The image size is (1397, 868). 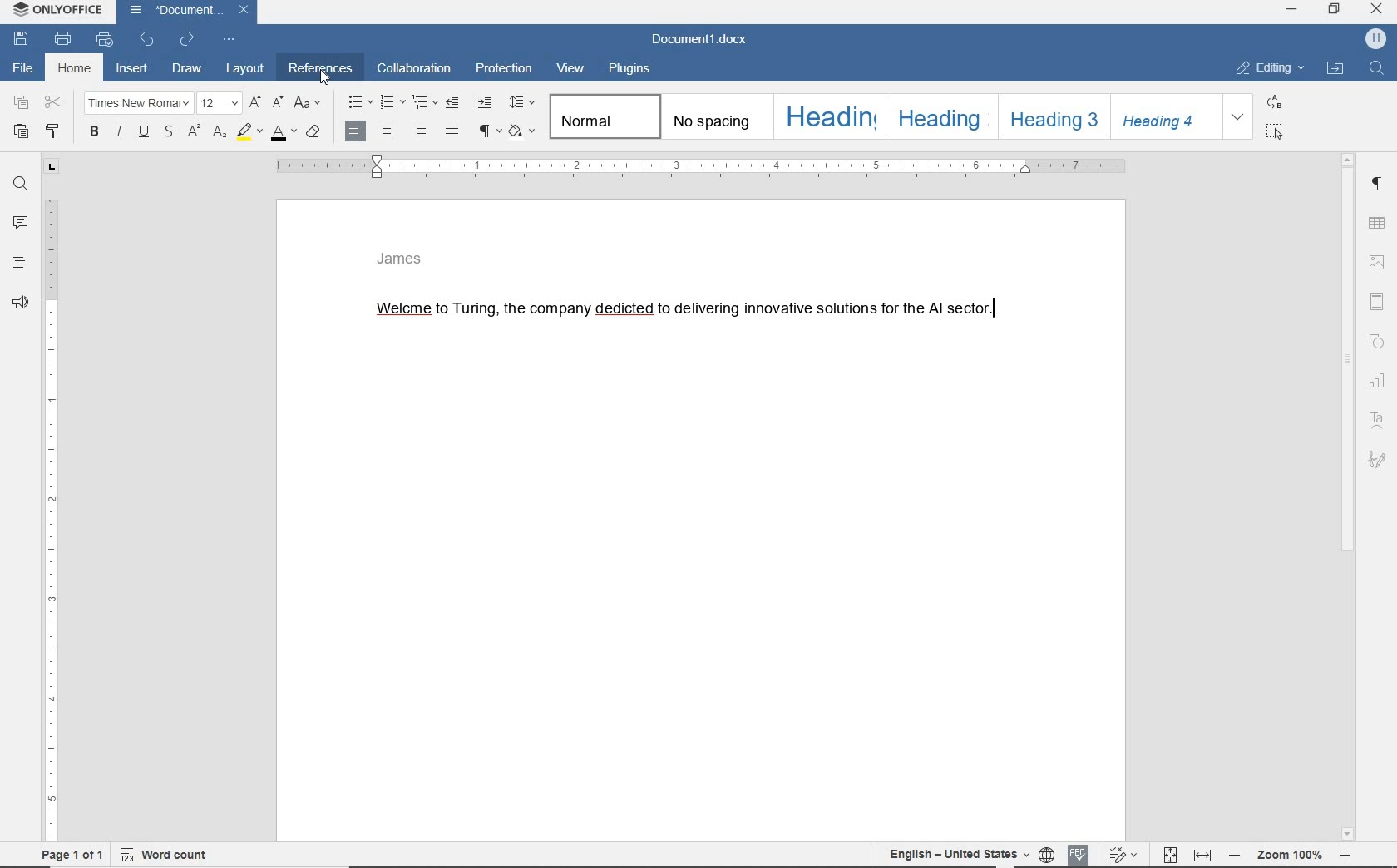 I want to click on view, so click(x=573, y=67).